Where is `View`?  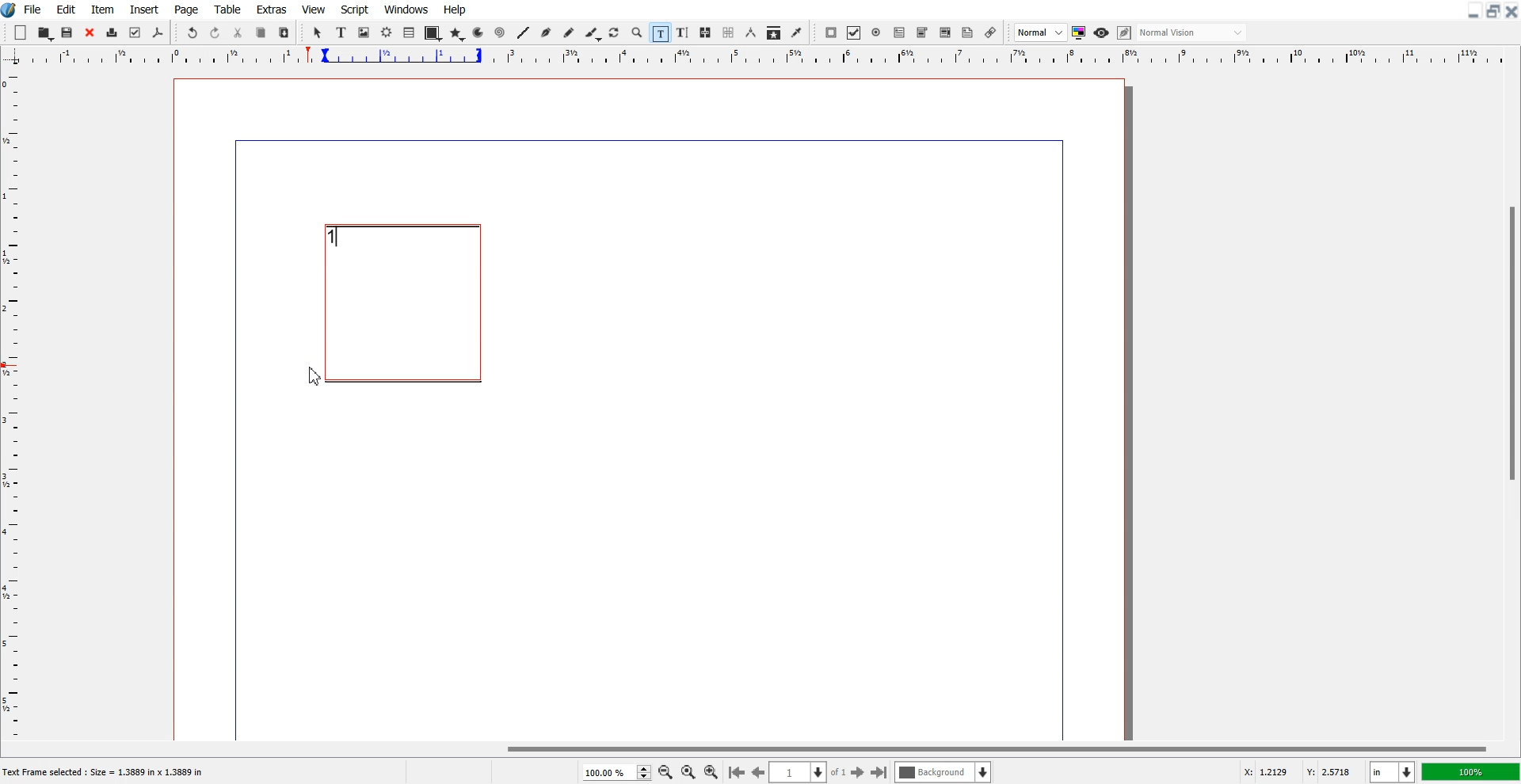
View is located at coordinates (314, 9).